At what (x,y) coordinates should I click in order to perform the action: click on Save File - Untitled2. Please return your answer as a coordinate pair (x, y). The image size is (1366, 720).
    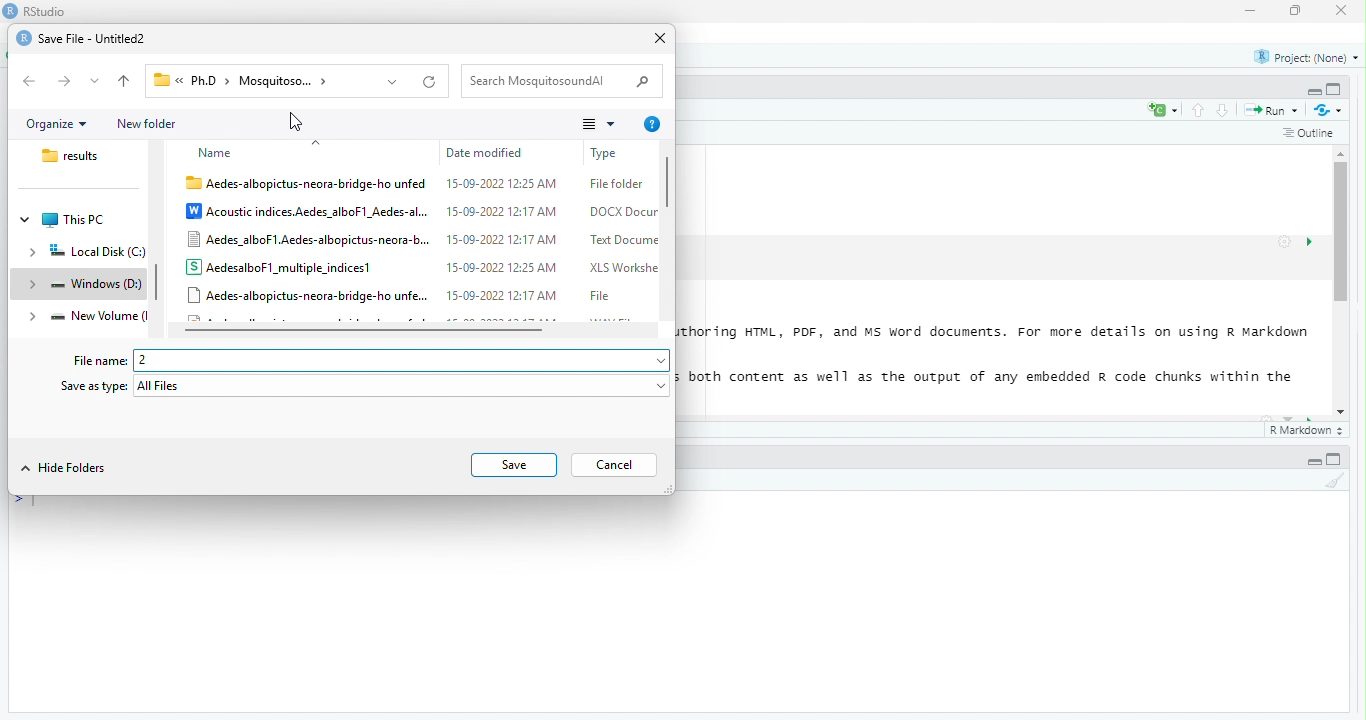
    Looking at the image, I should click on (93, 40).